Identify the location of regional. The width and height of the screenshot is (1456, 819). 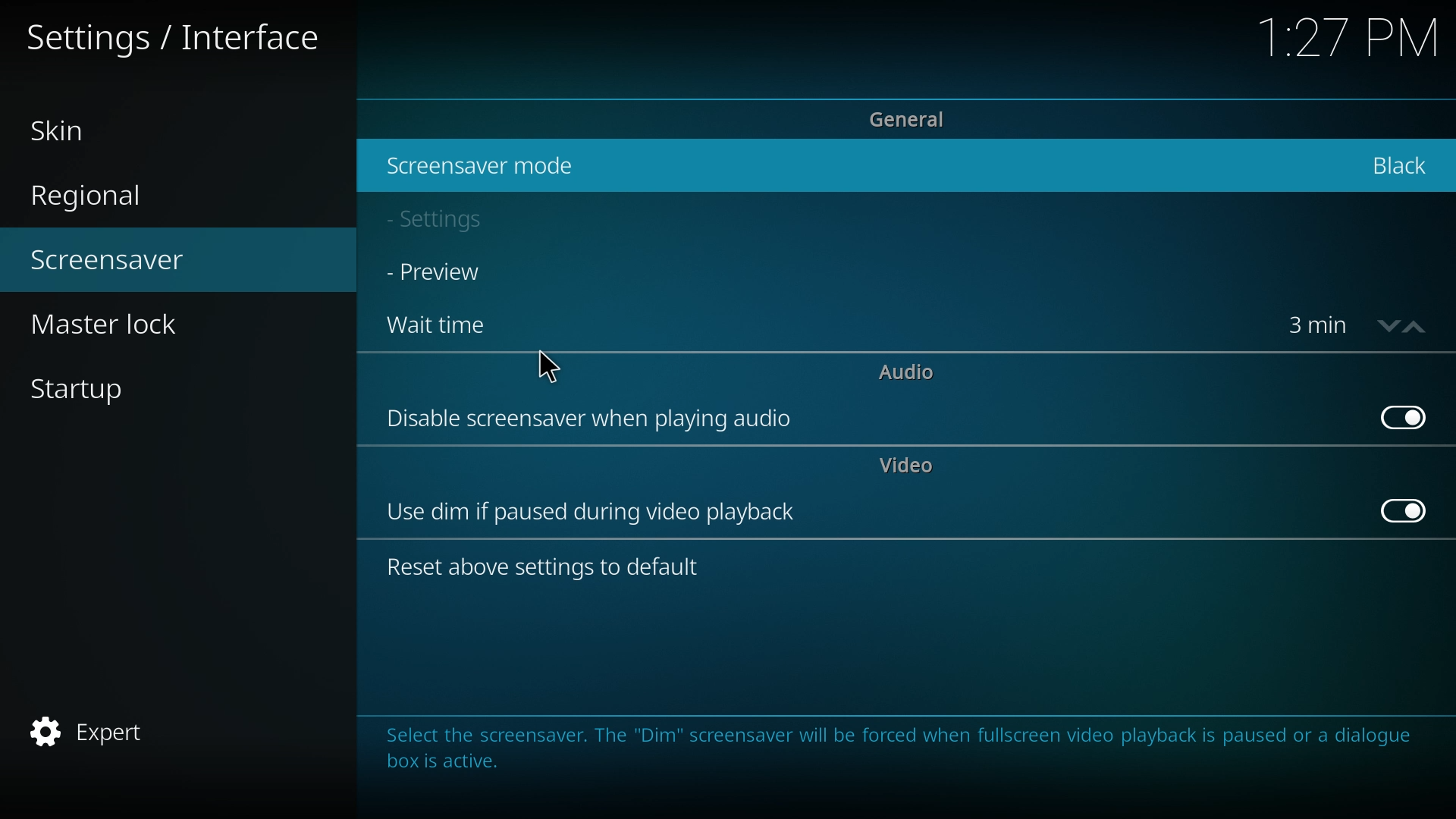
(125, 191).